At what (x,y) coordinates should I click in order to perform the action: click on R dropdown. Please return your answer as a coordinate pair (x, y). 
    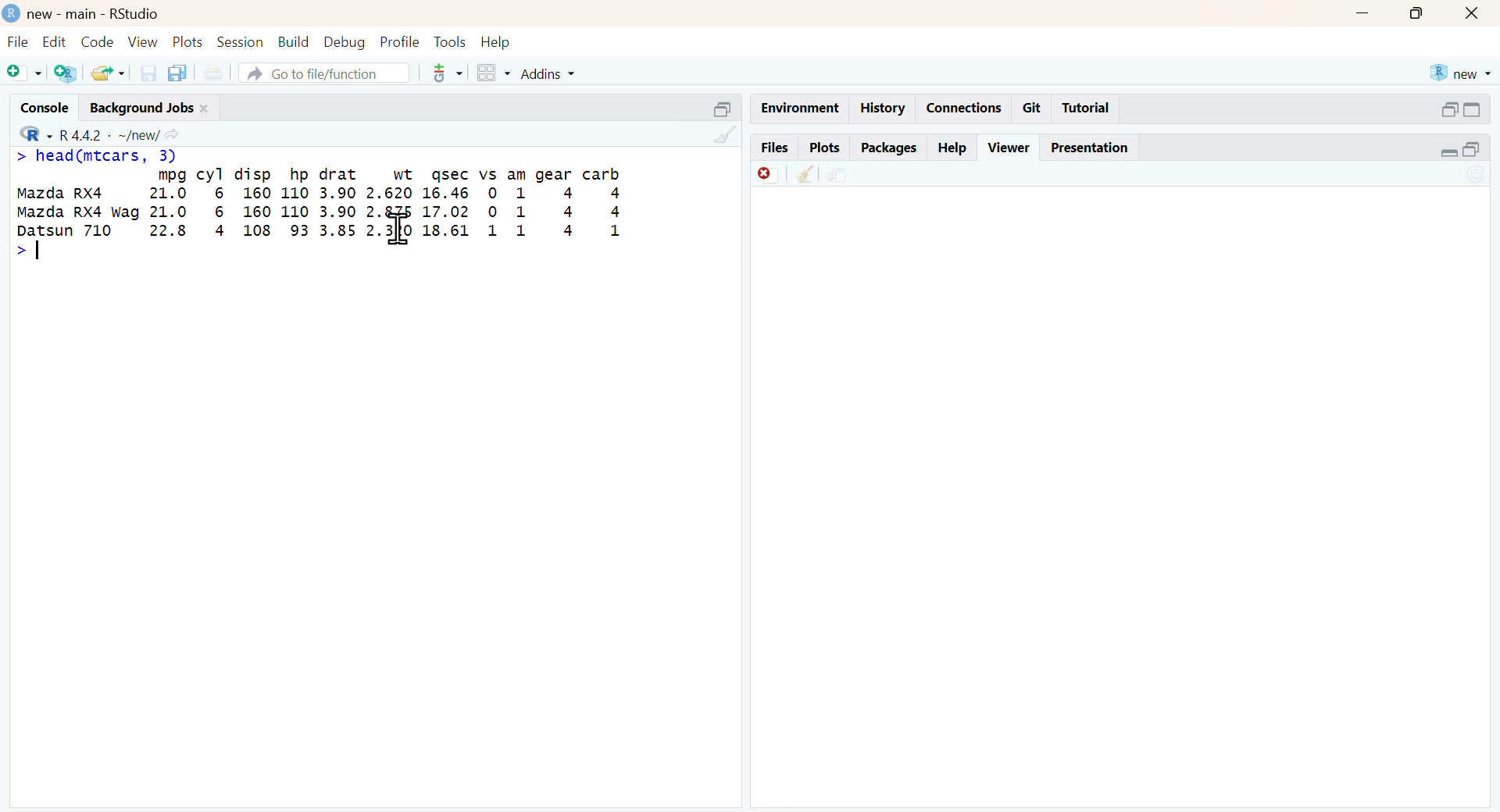
    Looking at the image, I should click on (20, 133).